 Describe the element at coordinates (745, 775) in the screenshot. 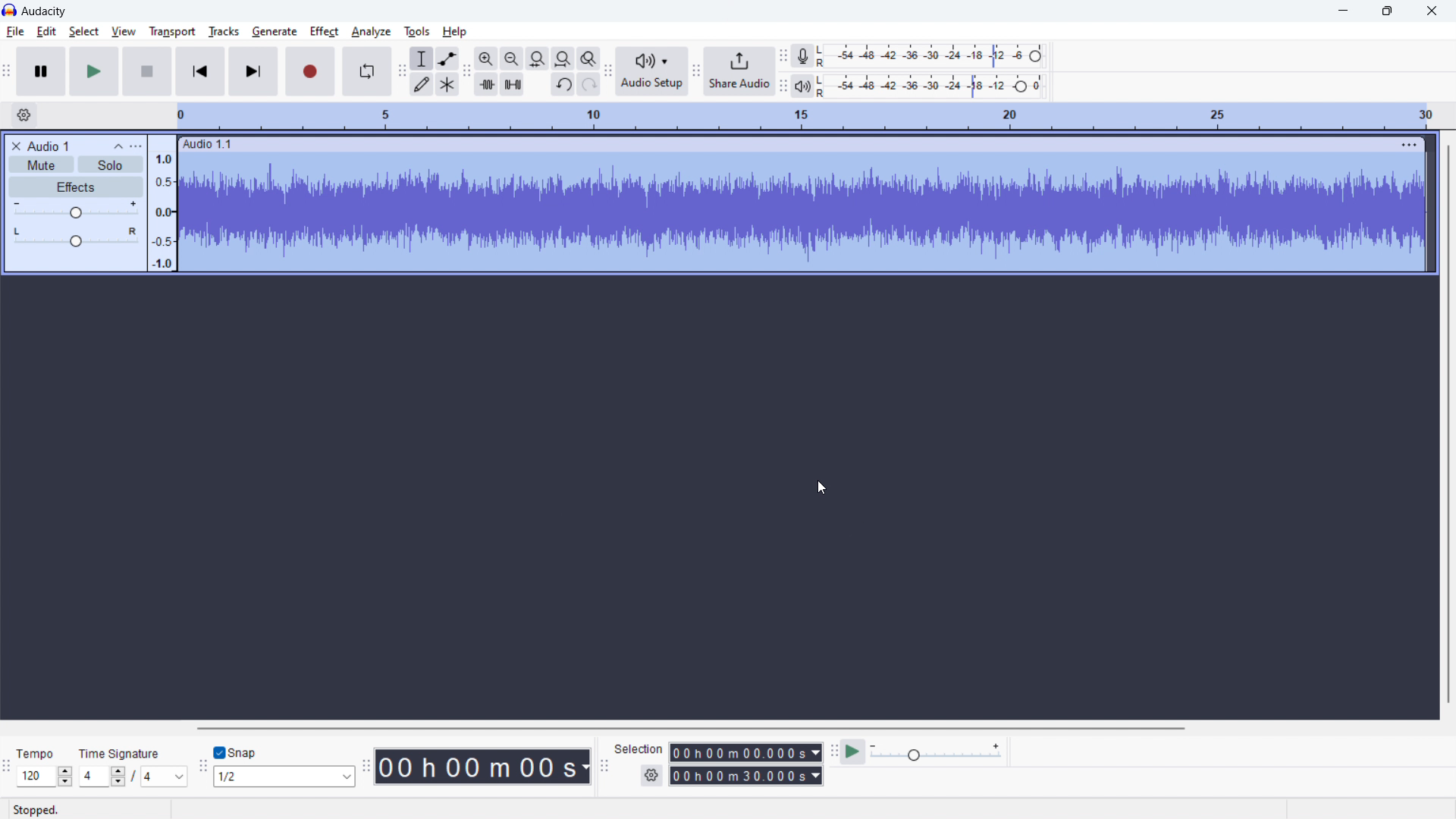

I see `end time` at that location.